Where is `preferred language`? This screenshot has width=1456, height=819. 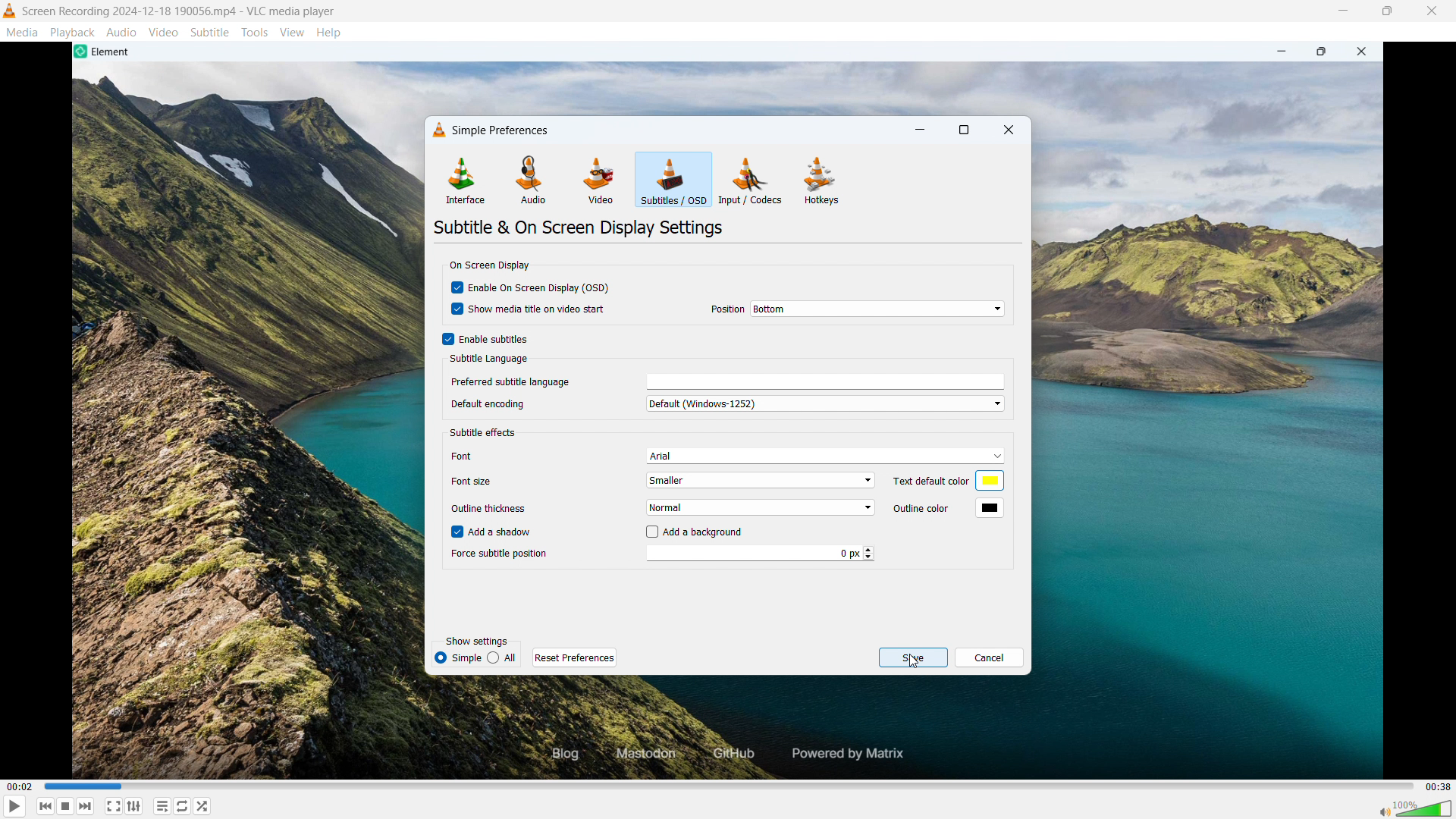
preferred language is located at coordinates (510, 381).